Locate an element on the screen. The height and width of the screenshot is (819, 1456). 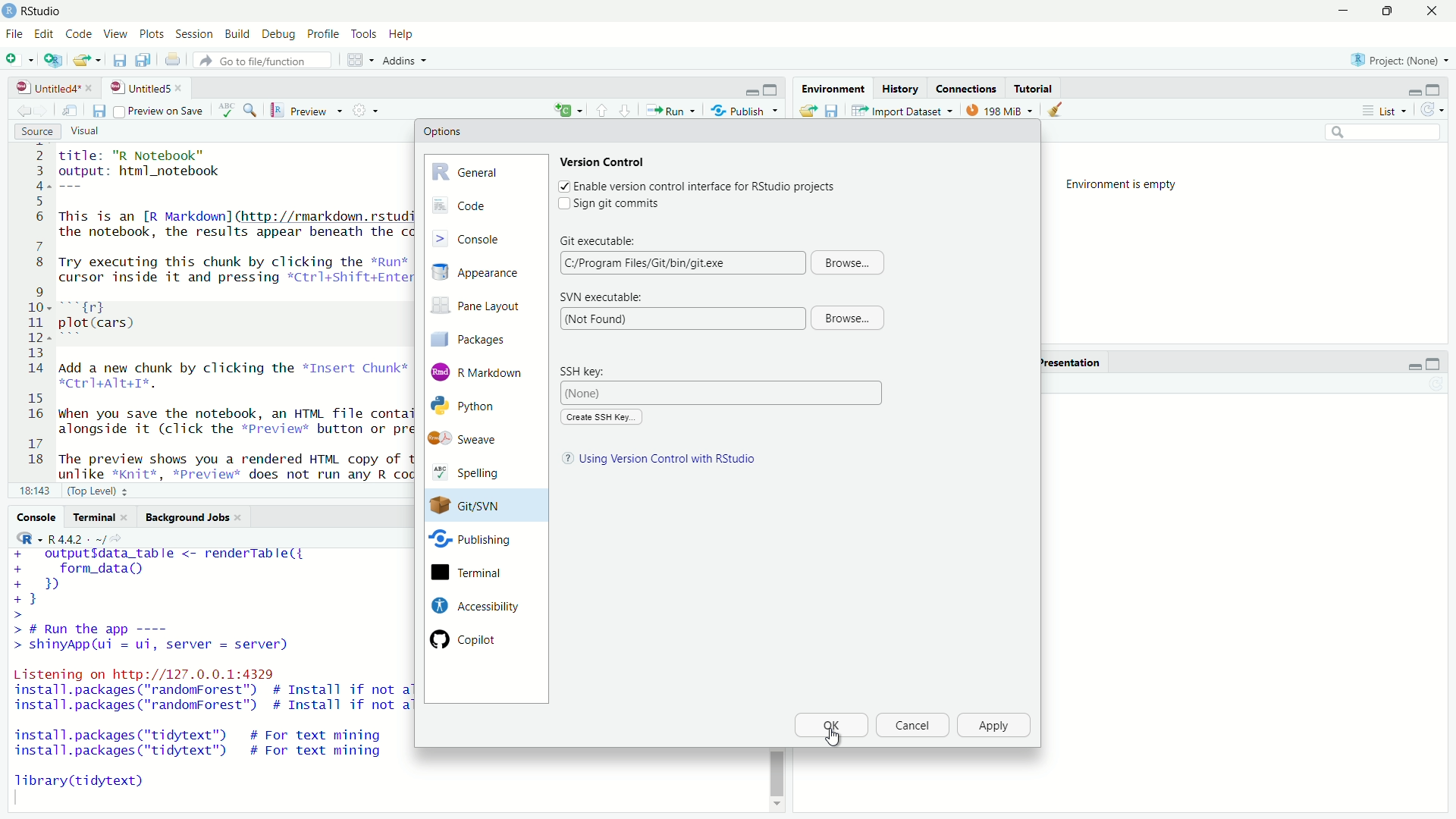
Console is located at coordinates (36, 516).